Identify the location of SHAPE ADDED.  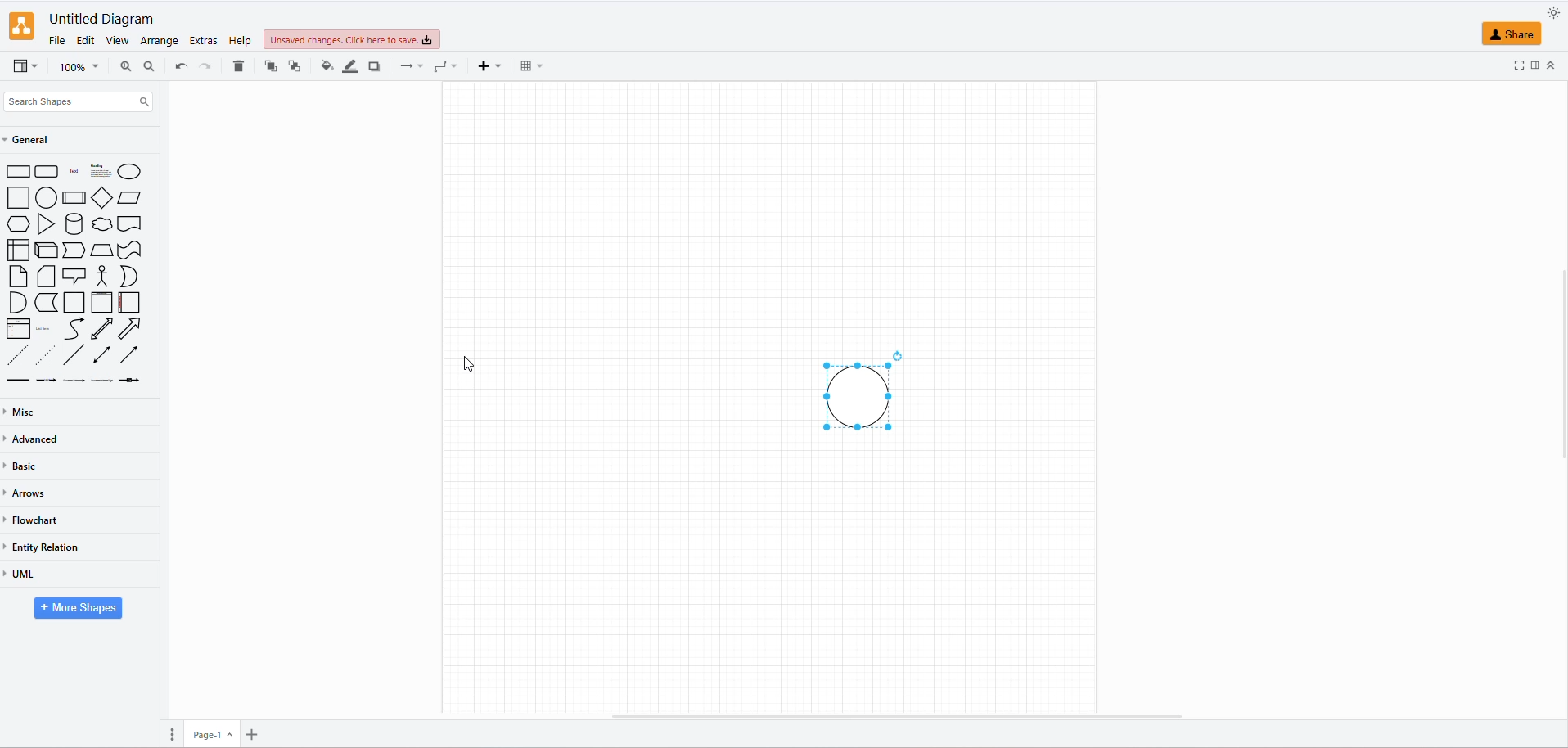
(862, 394).